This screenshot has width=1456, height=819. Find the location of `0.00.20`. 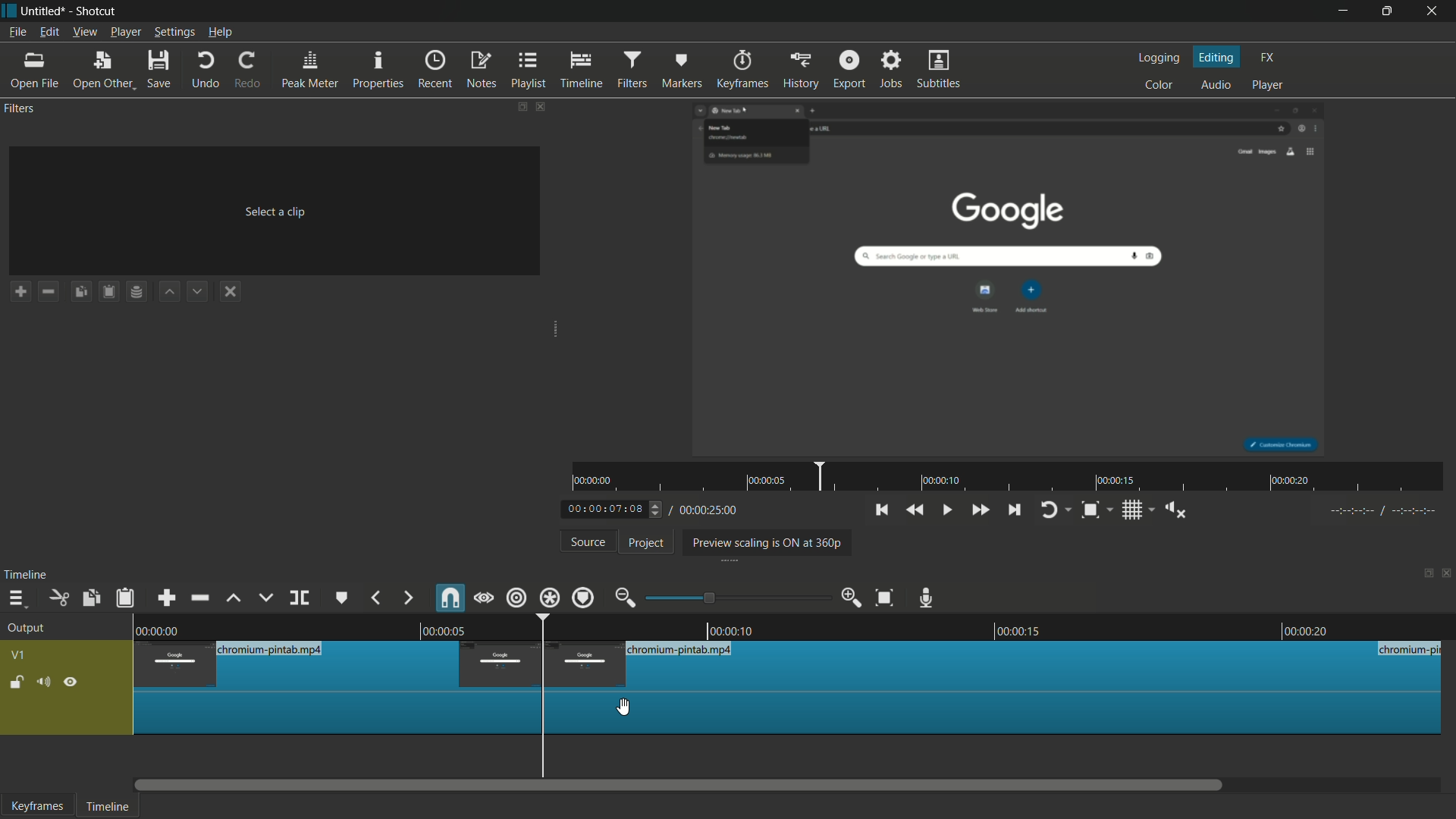

0.00.20 is located at coordinates (1303, 631).